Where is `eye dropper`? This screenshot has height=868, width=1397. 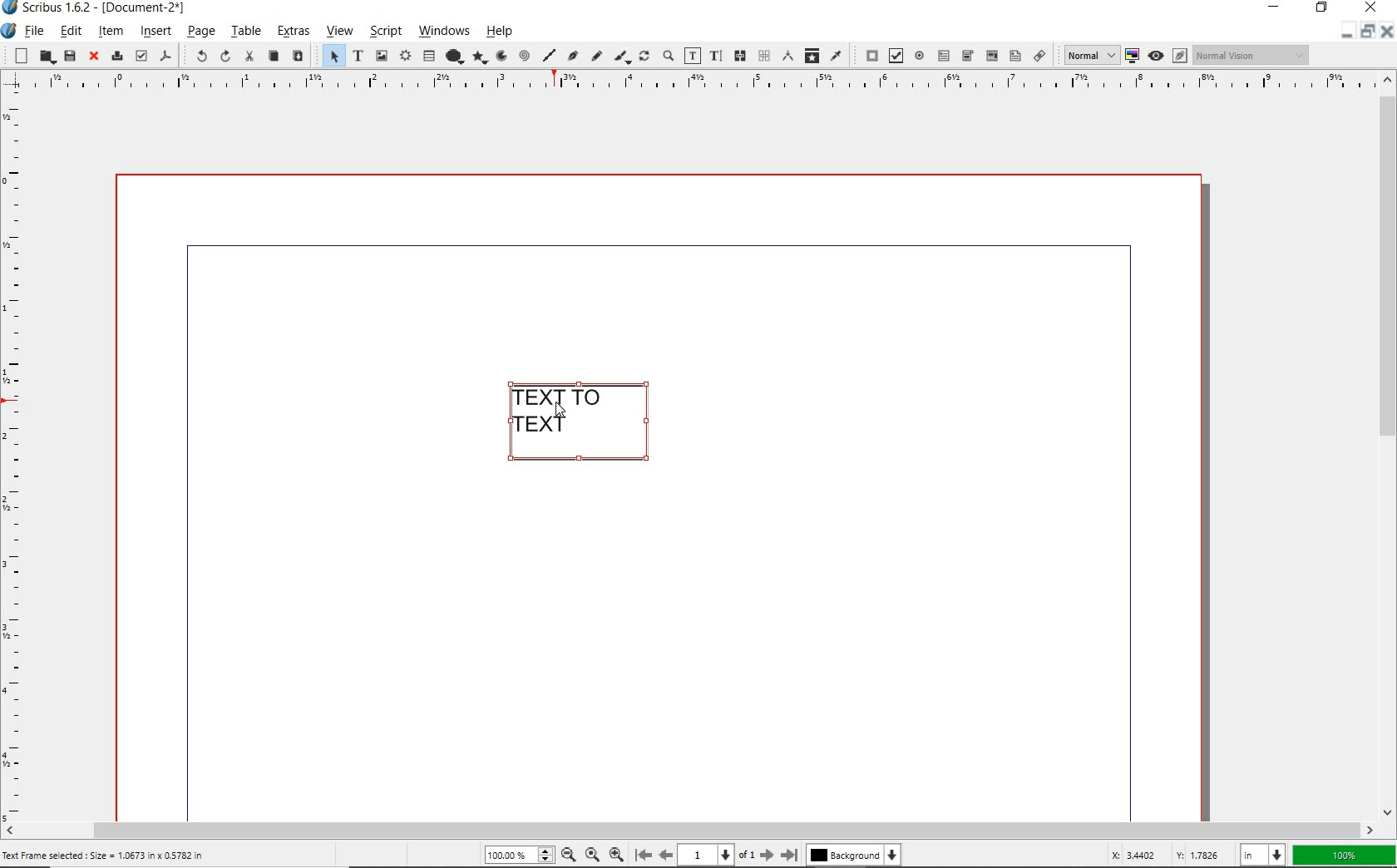 eye dropper is located at coordinates (838, 57).